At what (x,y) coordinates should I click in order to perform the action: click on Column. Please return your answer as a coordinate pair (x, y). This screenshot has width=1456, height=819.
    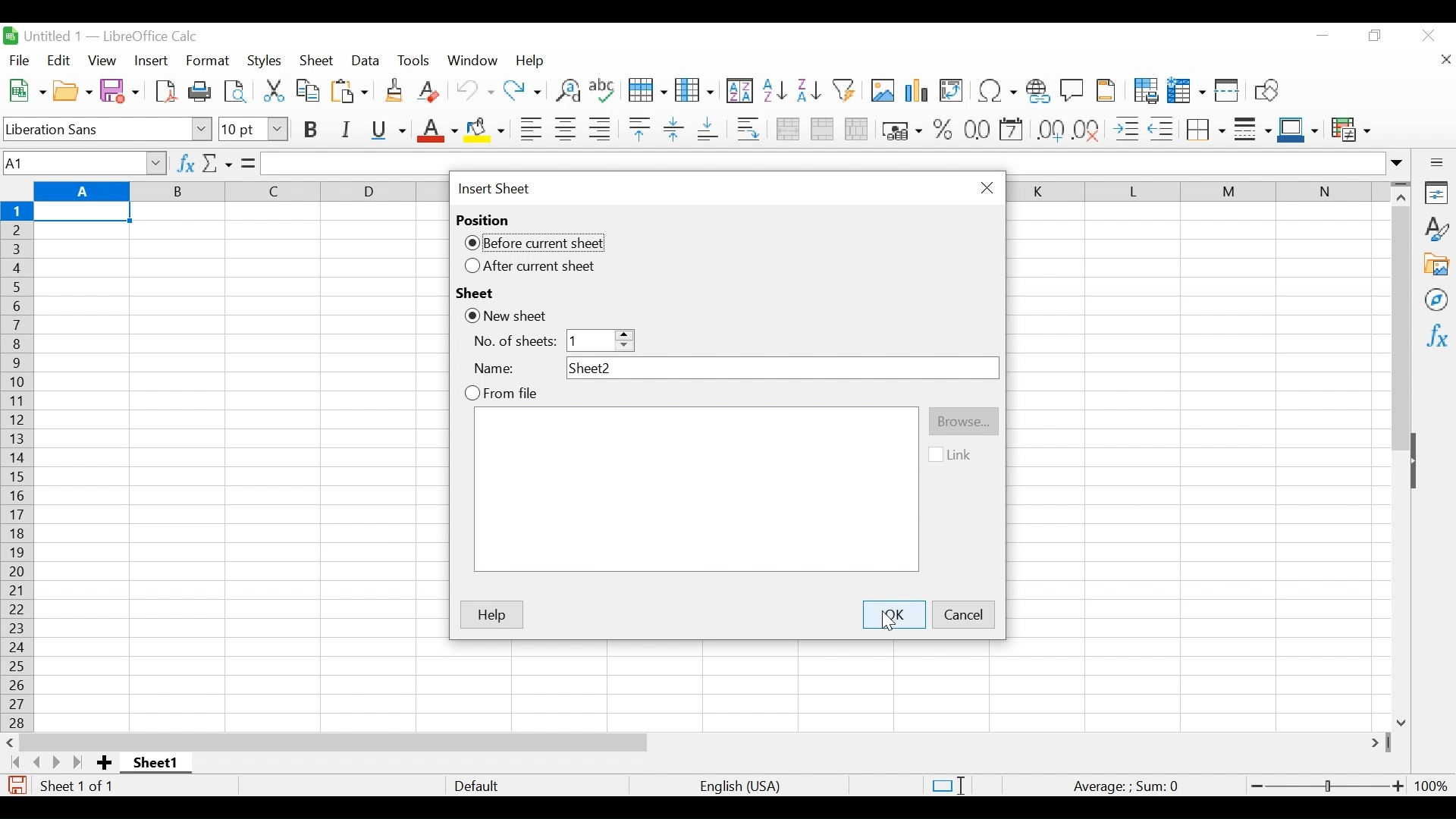
    Looking at the image, I should click on (695, 90).